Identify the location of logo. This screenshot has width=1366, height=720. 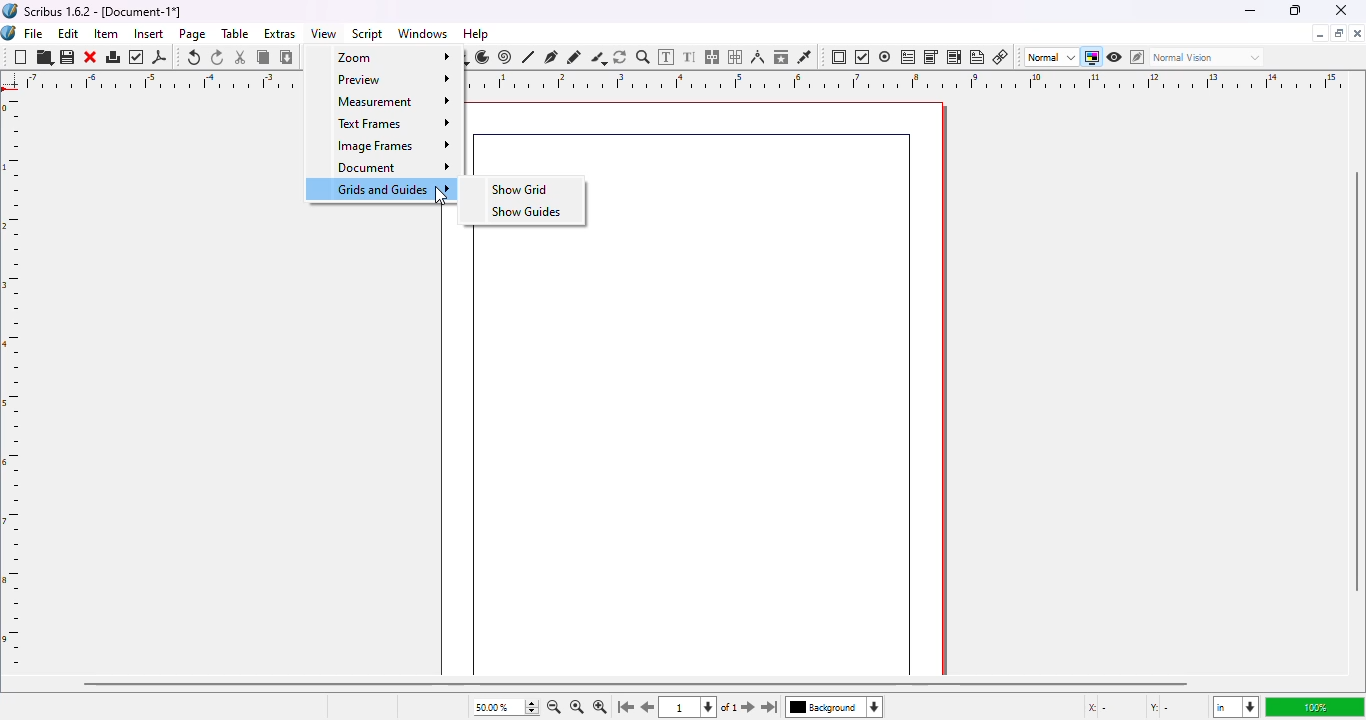
(9, 33).